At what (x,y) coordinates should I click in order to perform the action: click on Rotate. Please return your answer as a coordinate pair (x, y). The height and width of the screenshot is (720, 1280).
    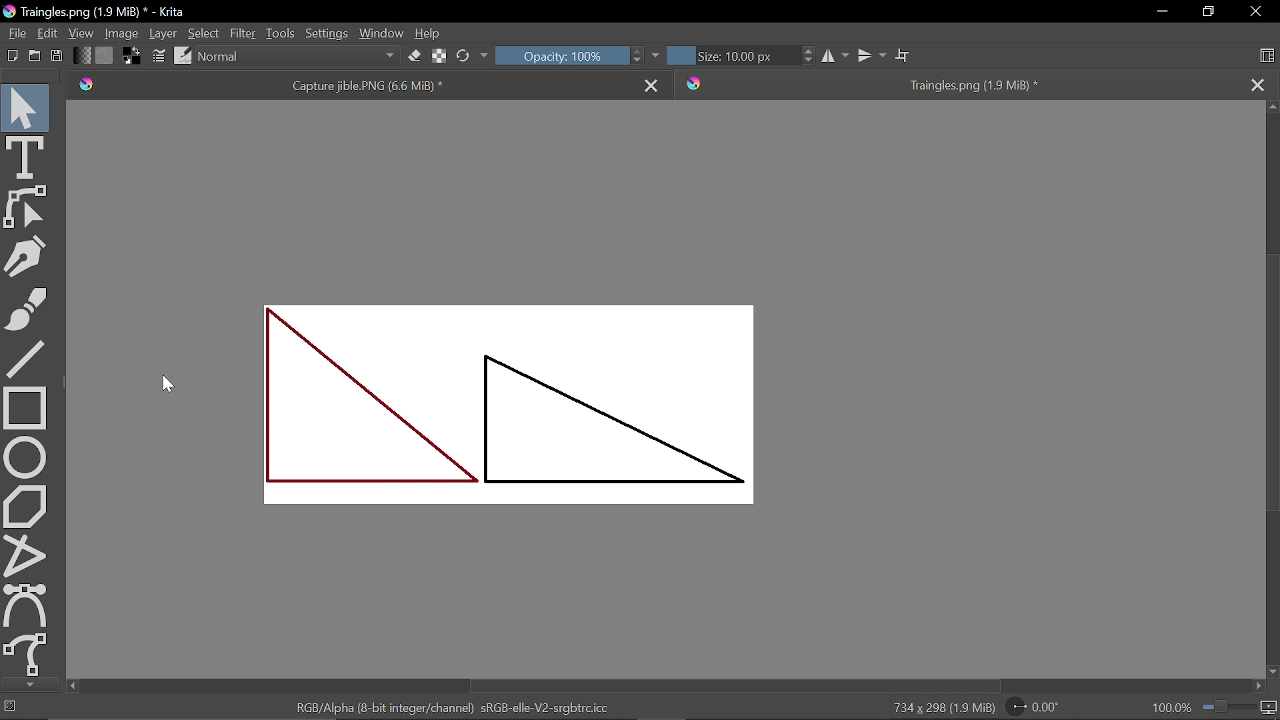
    Looking at the image, I should click on (1038, 708).